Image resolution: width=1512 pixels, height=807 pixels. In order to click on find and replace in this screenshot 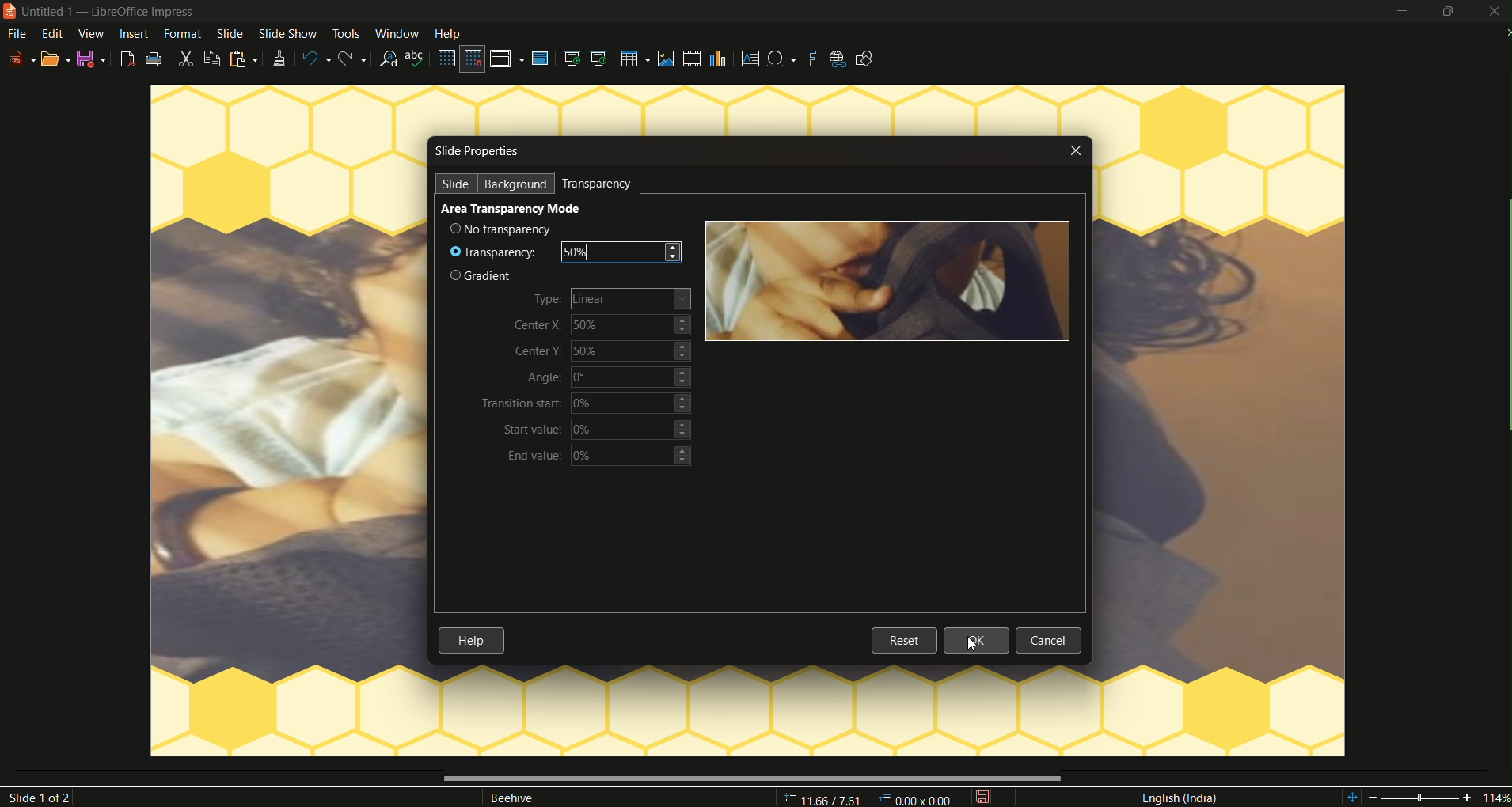, I will do `click(389, 59)`.